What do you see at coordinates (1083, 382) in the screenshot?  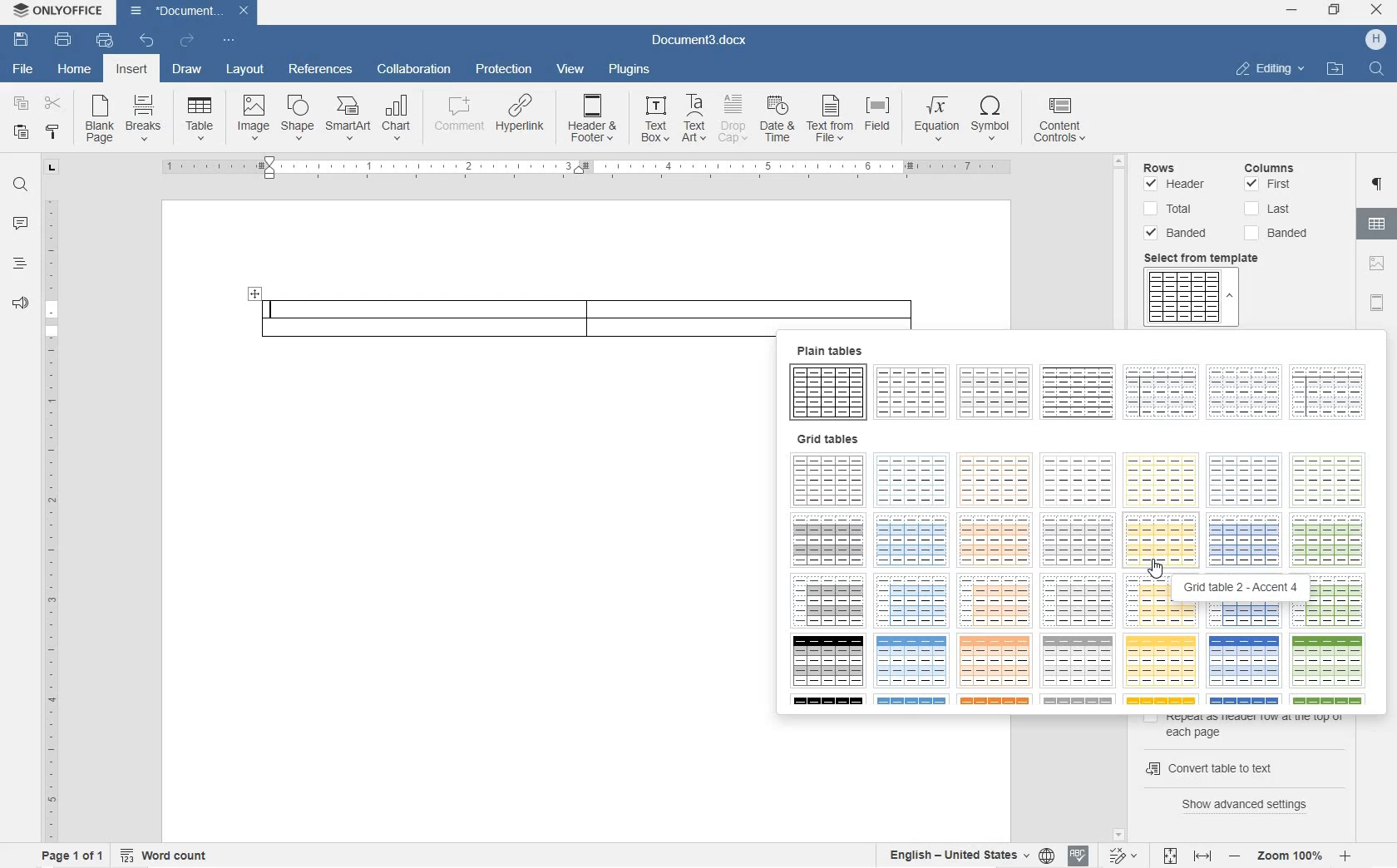 I see `plain tables` at bounding box center [1083, 382].